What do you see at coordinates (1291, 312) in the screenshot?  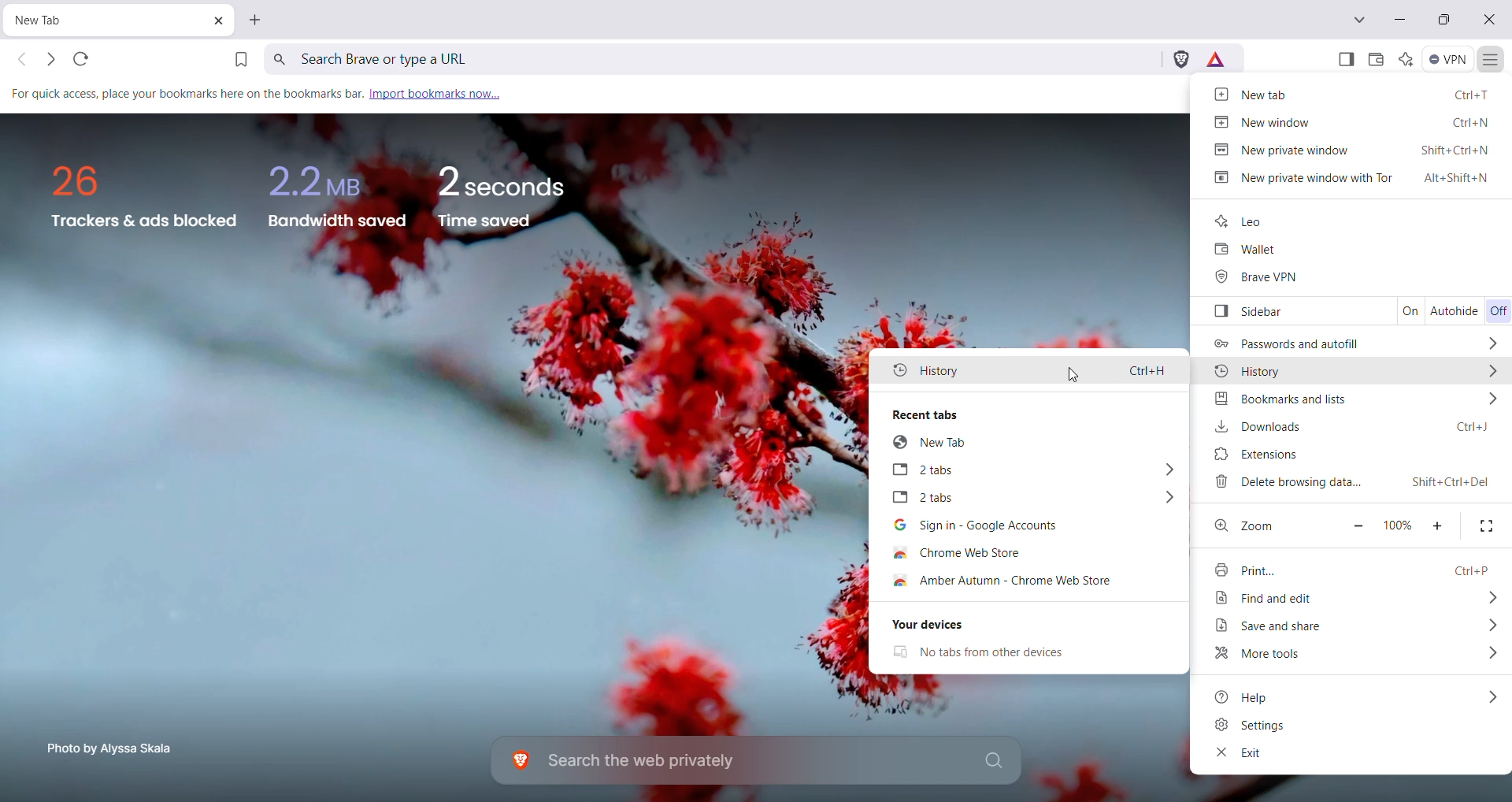 I see `Sidebar` at bounding box center [1291, 312].